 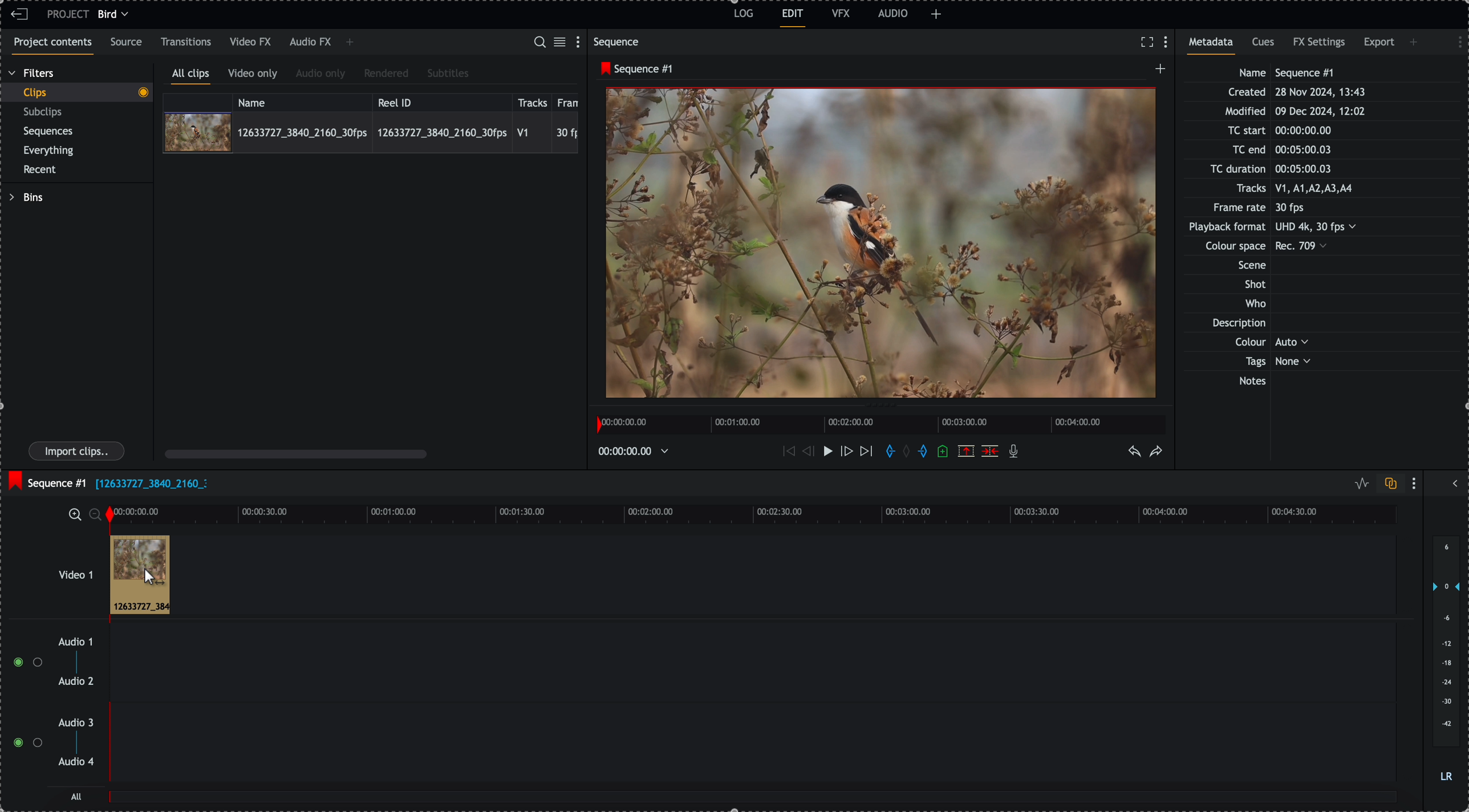 I want to click on sequences, so click(x=48, y=133).